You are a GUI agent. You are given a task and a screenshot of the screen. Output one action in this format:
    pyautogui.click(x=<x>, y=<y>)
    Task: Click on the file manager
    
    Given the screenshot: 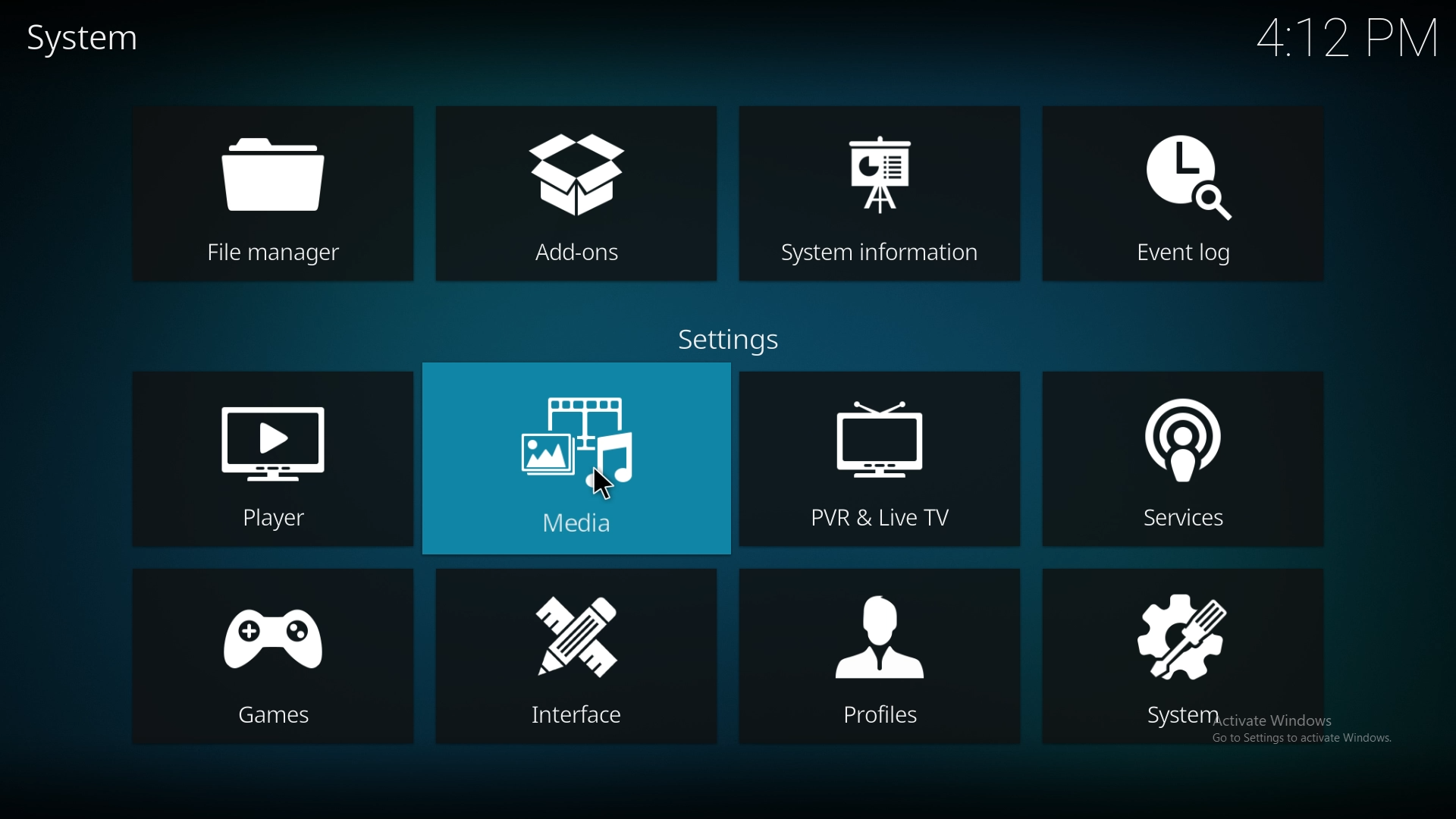 What is the action you would take?
    pyautogui.click(x=275, y=195)
    